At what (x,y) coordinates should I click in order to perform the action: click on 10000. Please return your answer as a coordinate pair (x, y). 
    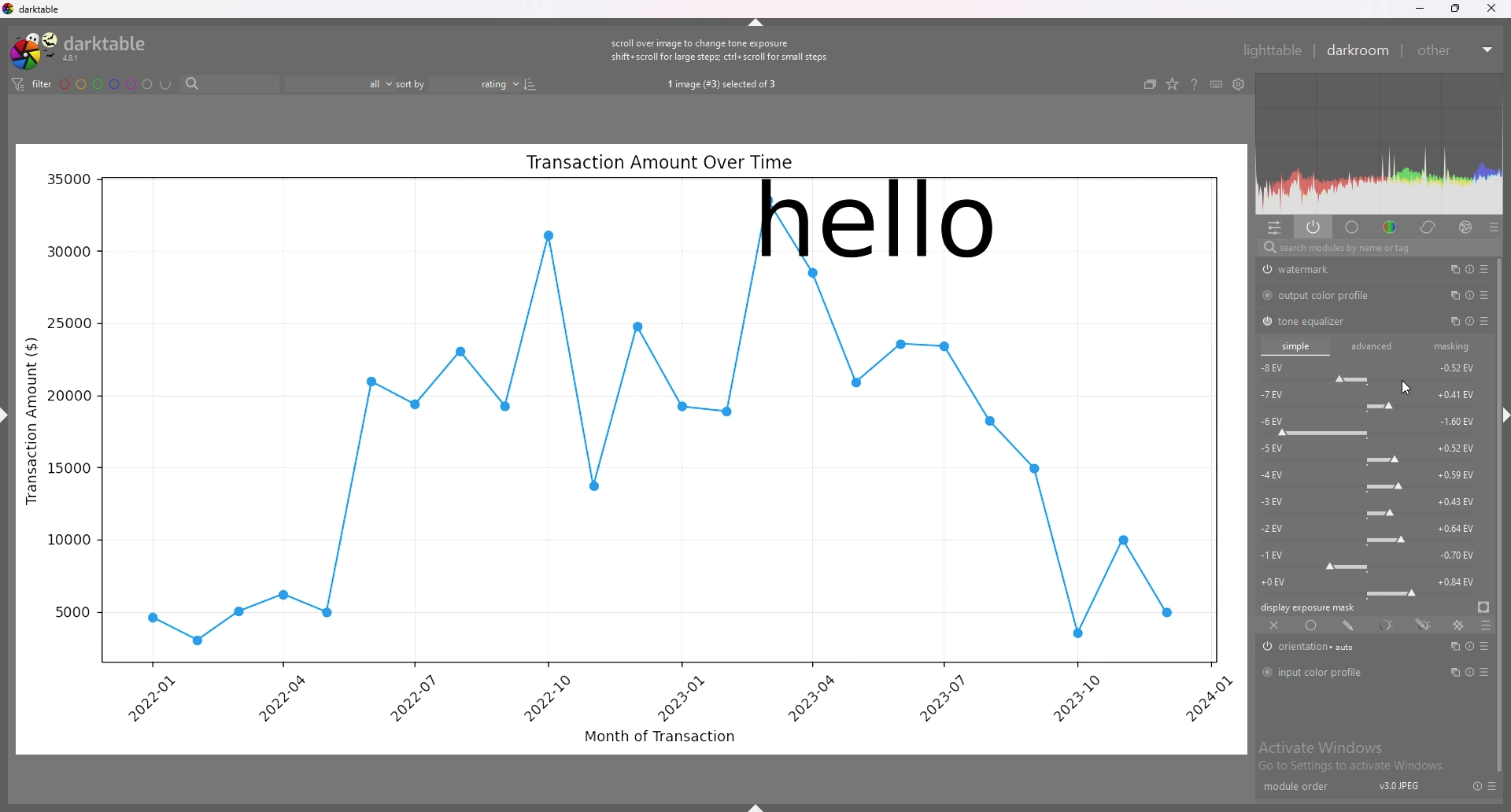
    Looking at the image, I should click on (66, 540).